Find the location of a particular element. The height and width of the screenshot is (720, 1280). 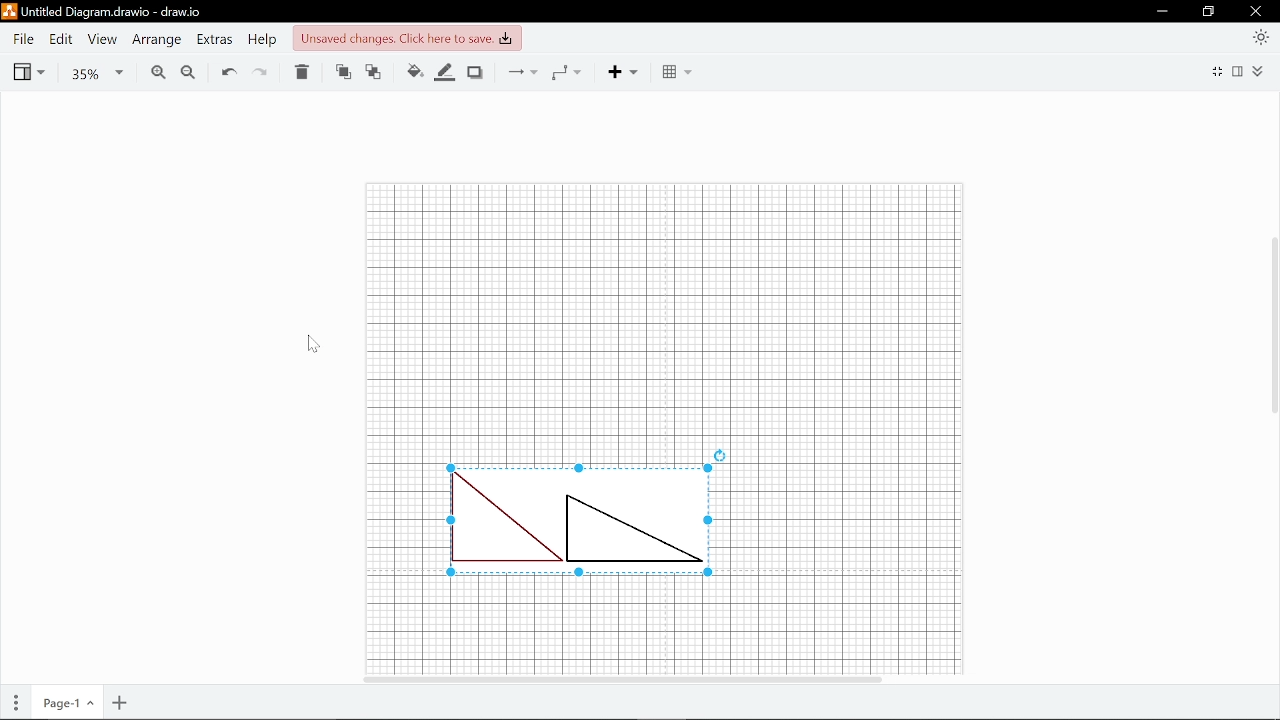

Untitled Diagram.drawio - draw.io is located at coordinates (116, 12).